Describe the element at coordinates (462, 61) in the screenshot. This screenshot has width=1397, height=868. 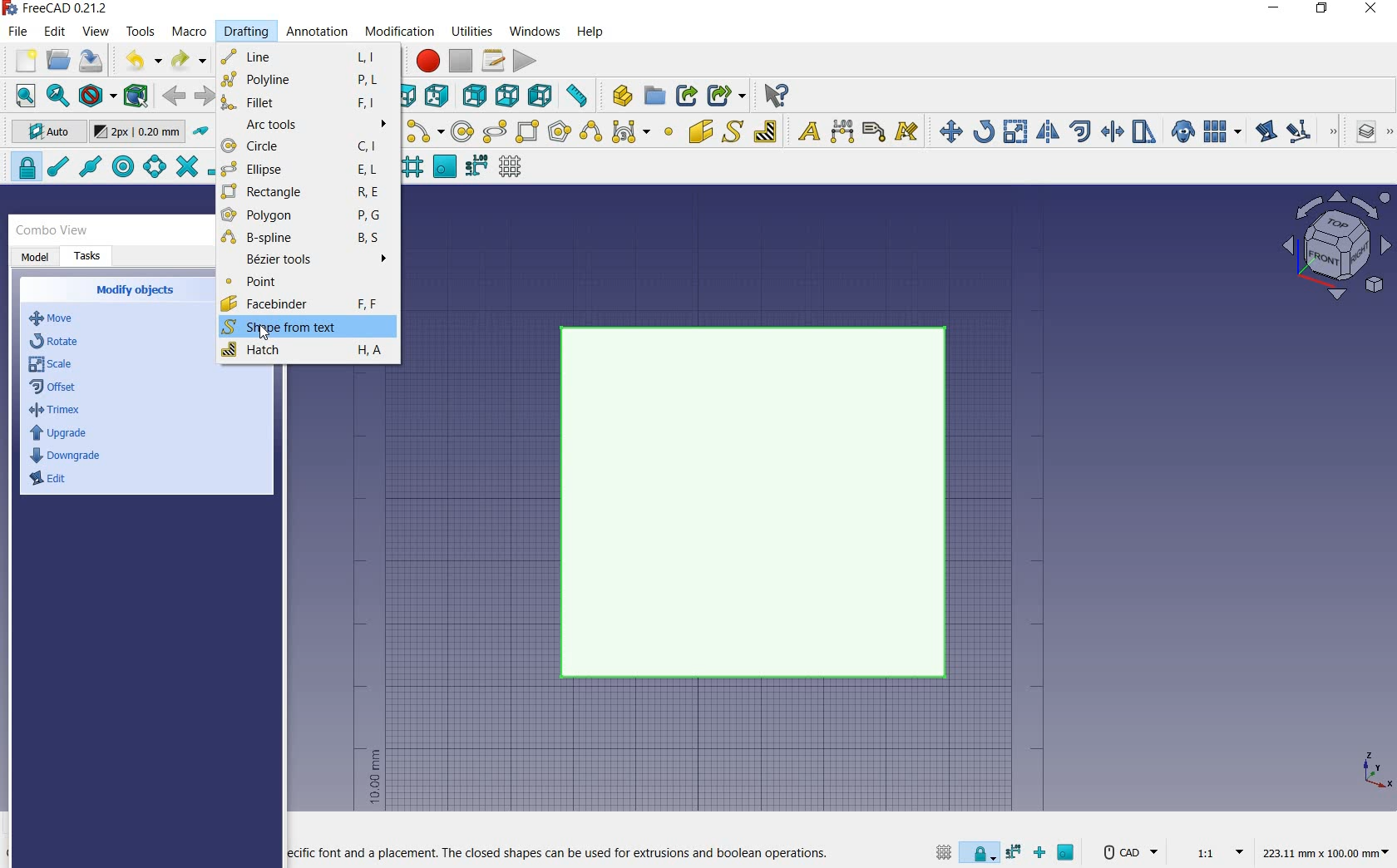
I see `stop macro recording` at that location.